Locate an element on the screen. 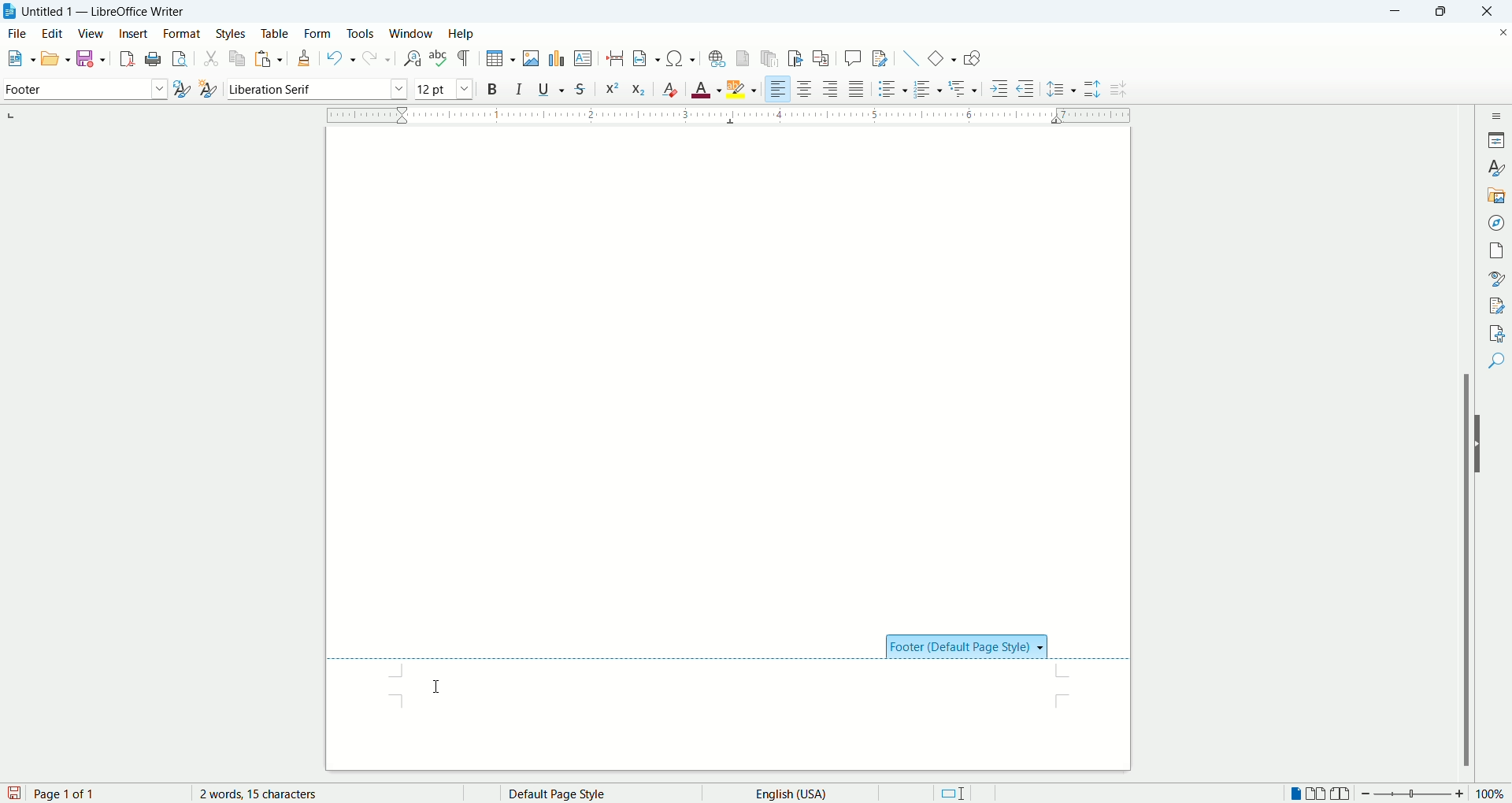  footer section is located at coordinates (721, 694).